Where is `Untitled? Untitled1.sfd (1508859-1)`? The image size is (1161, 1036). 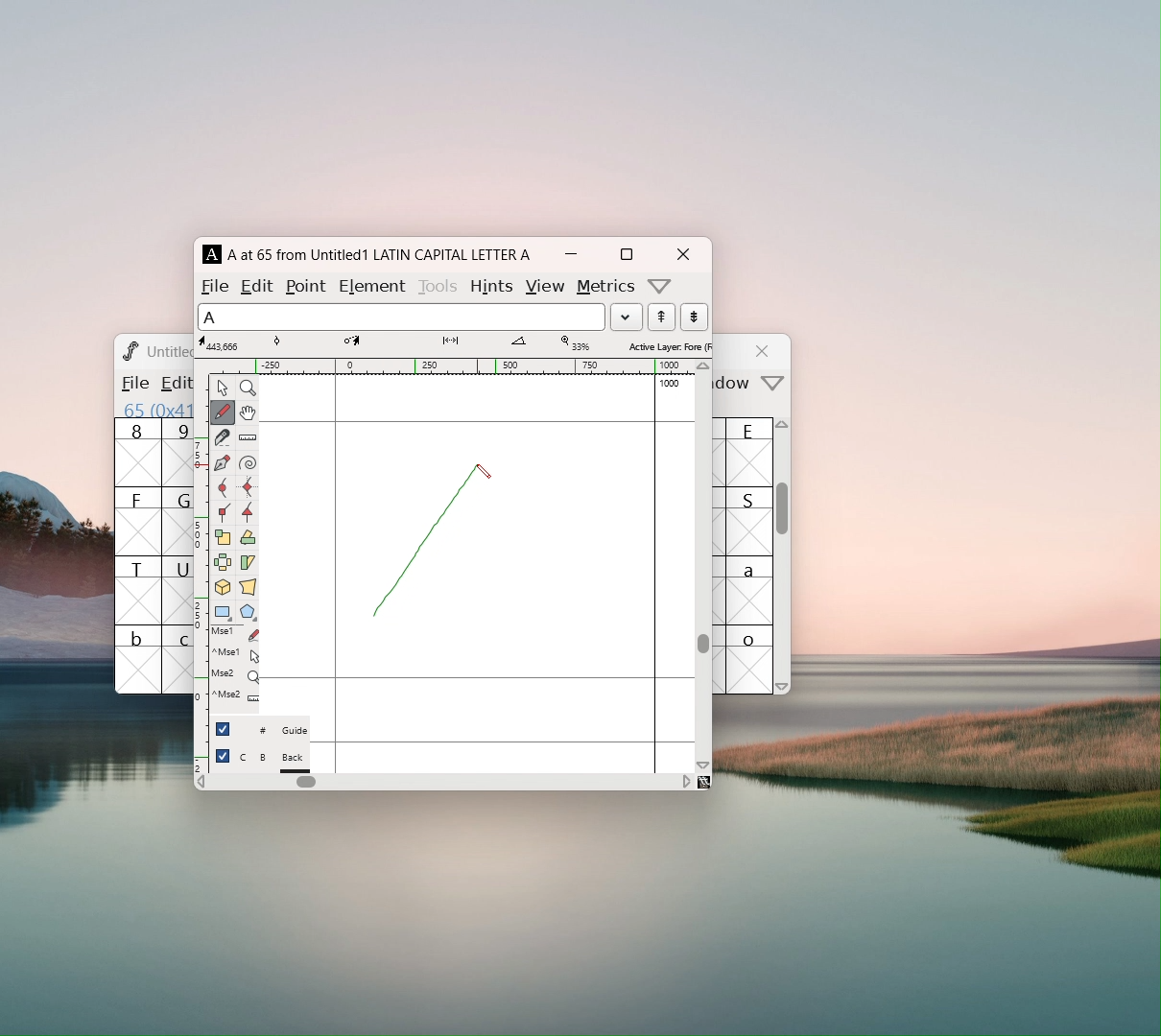 Untitled? Untitled1.sfd (1508859-1) is located at coordinates (170, 351).